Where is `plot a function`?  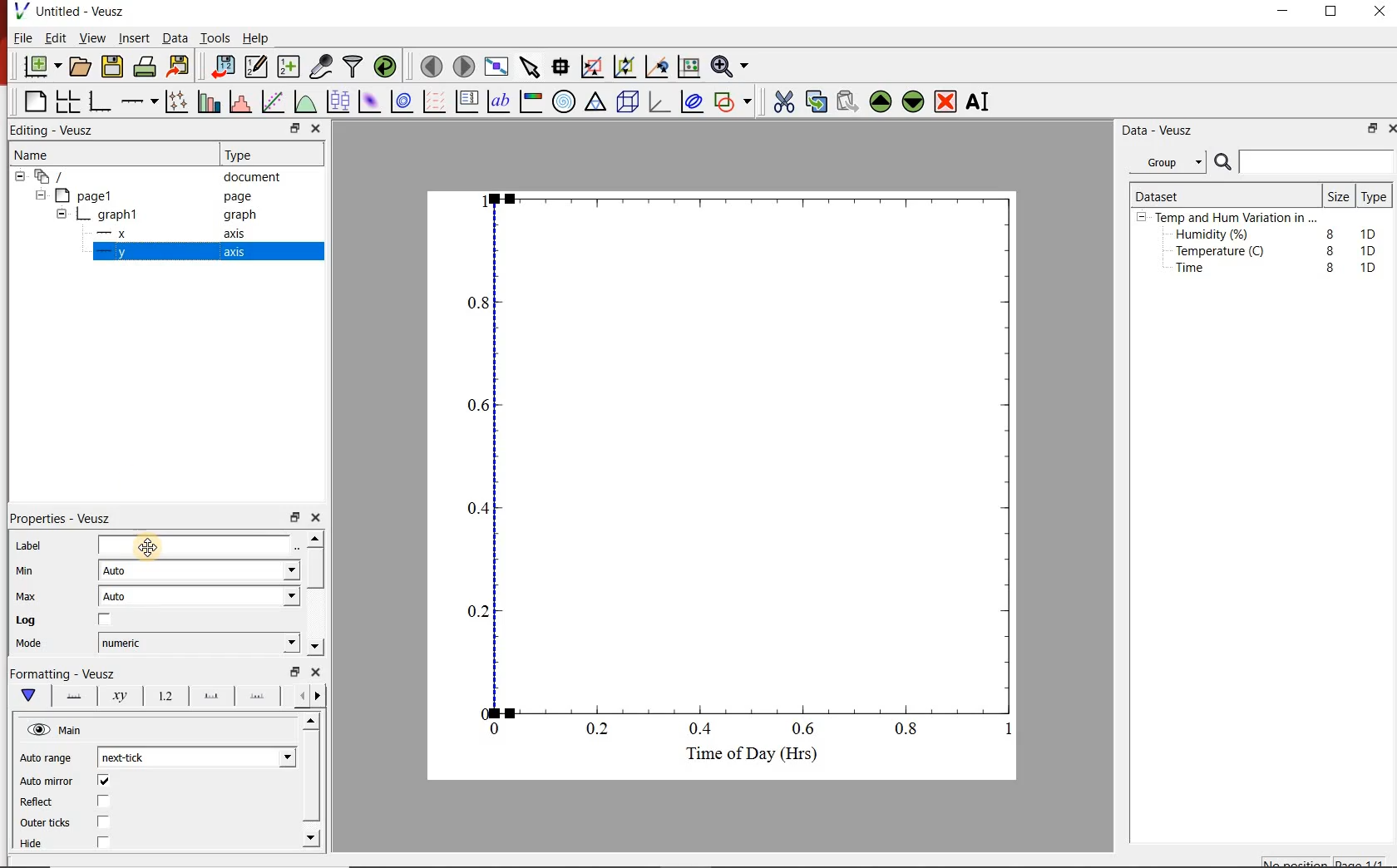
plot a function is located at coordinates (307, 104).